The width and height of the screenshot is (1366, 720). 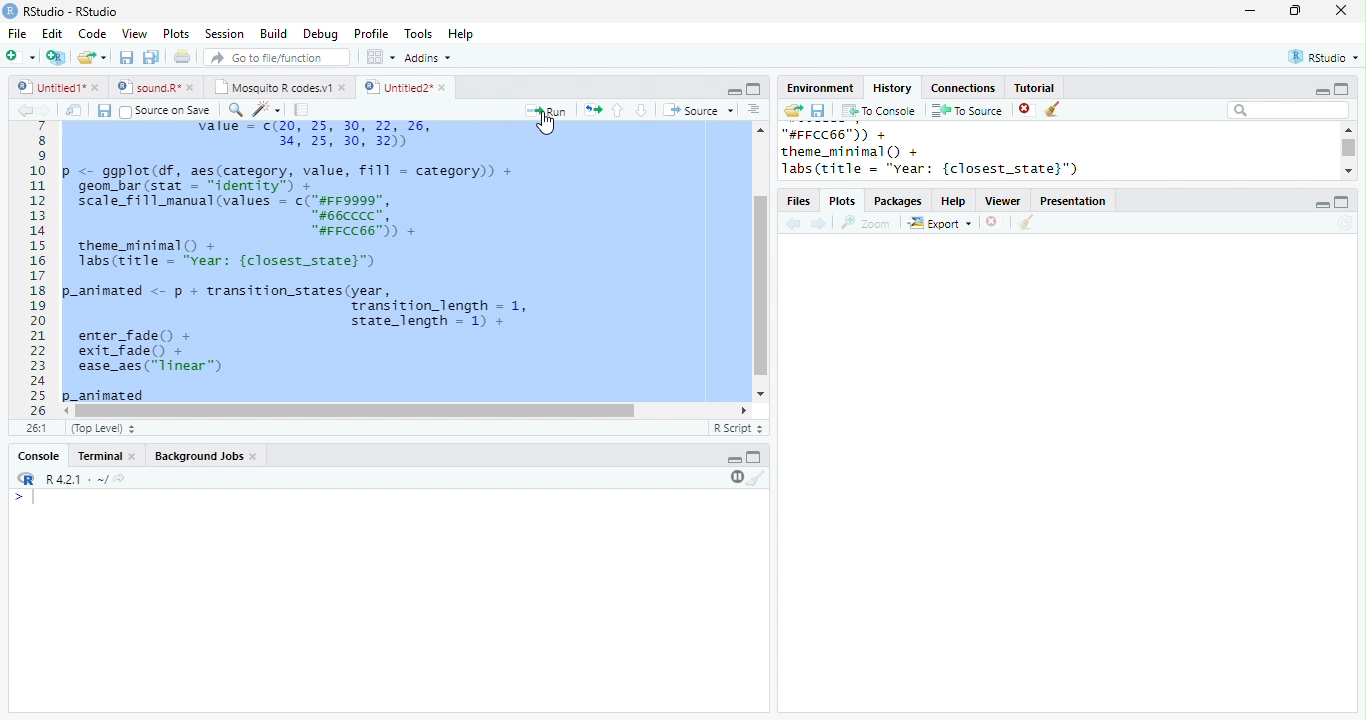 I want to click on 26:1, so click(x=37, y=428).